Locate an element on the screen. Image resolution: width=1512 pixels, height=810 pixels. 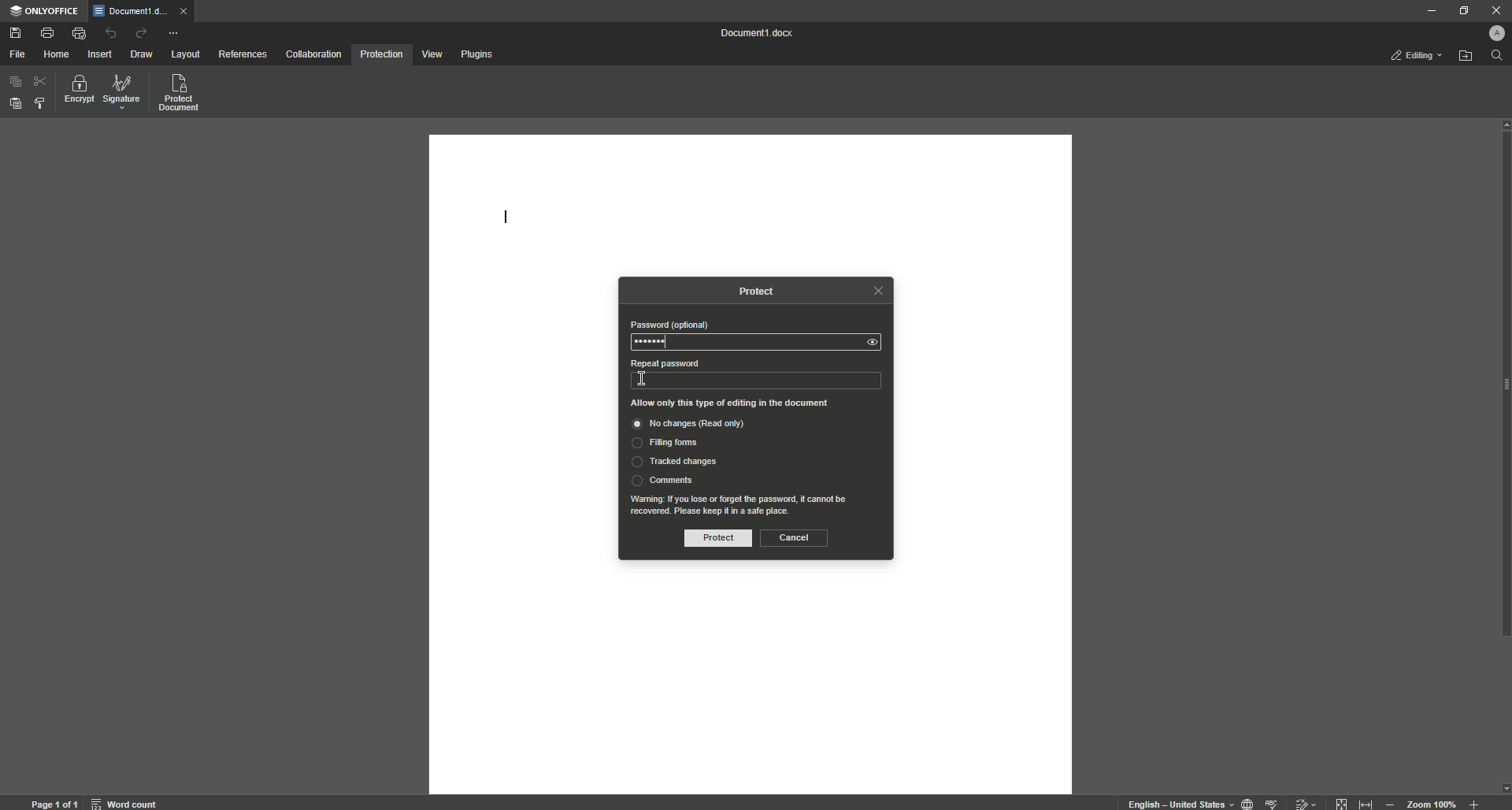
seen is located at coordinates (876, 342).